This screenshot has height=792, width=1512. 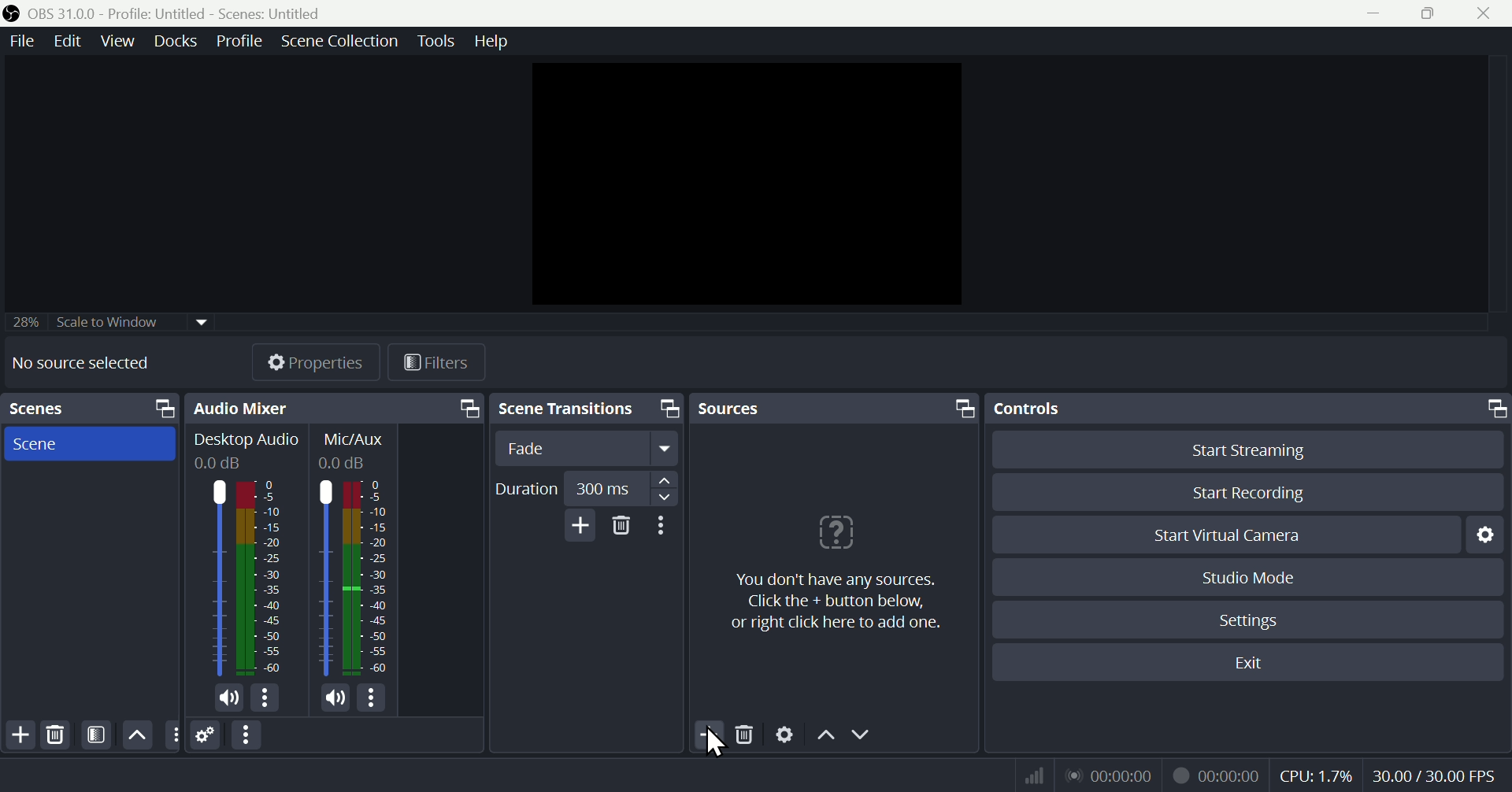 What do you see at coordinates (831, 568) in the screenshot?
I see `You don't have any sources. Click the + button below or right click here to add one` at bounding box center [831, 568].